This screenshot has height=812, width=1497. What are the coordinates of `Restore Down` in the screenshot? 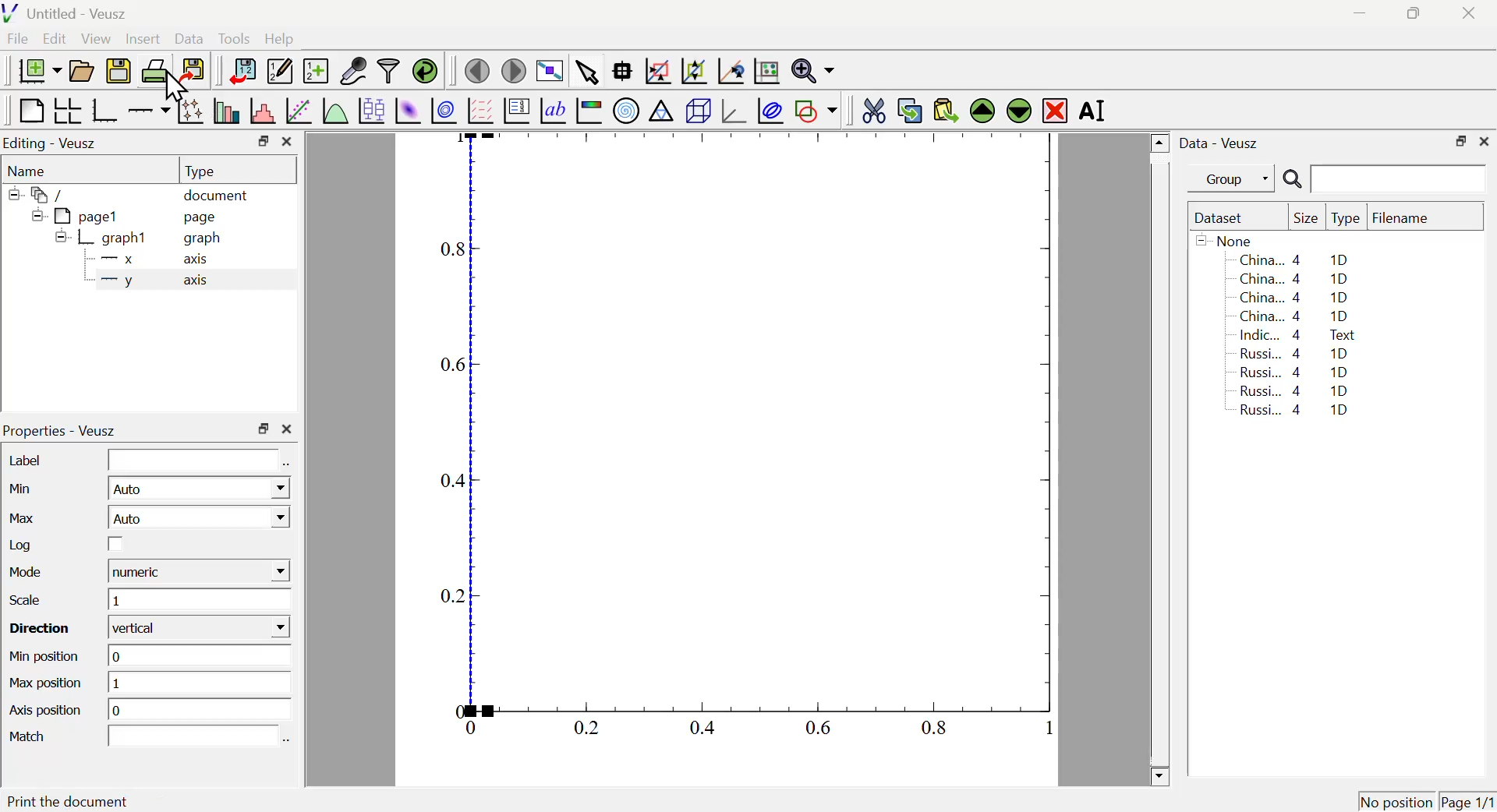 It's located at (263, 141).